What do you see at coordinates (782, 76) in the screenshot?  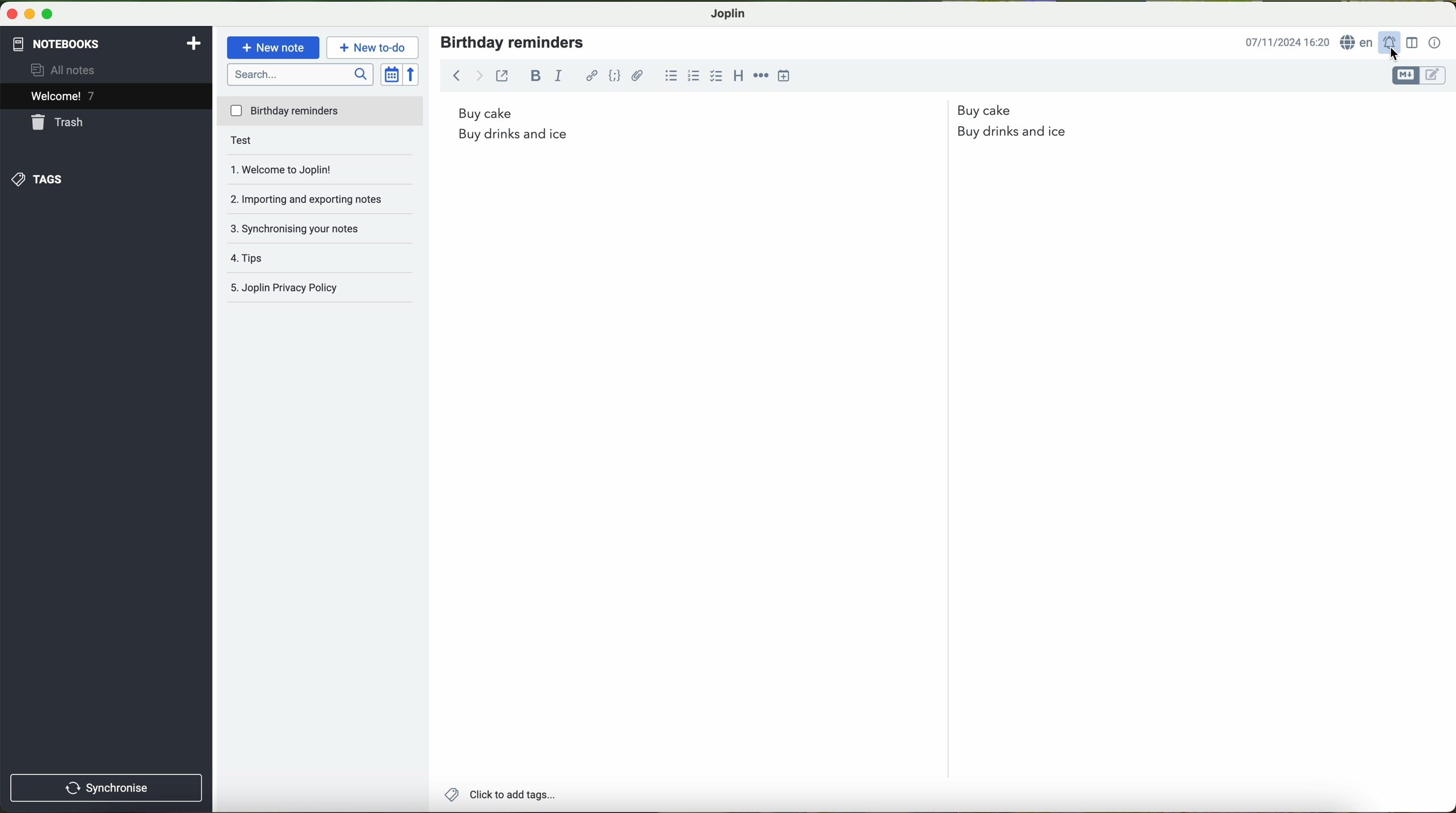 I see `insert time` at bounding box center [782, 76].